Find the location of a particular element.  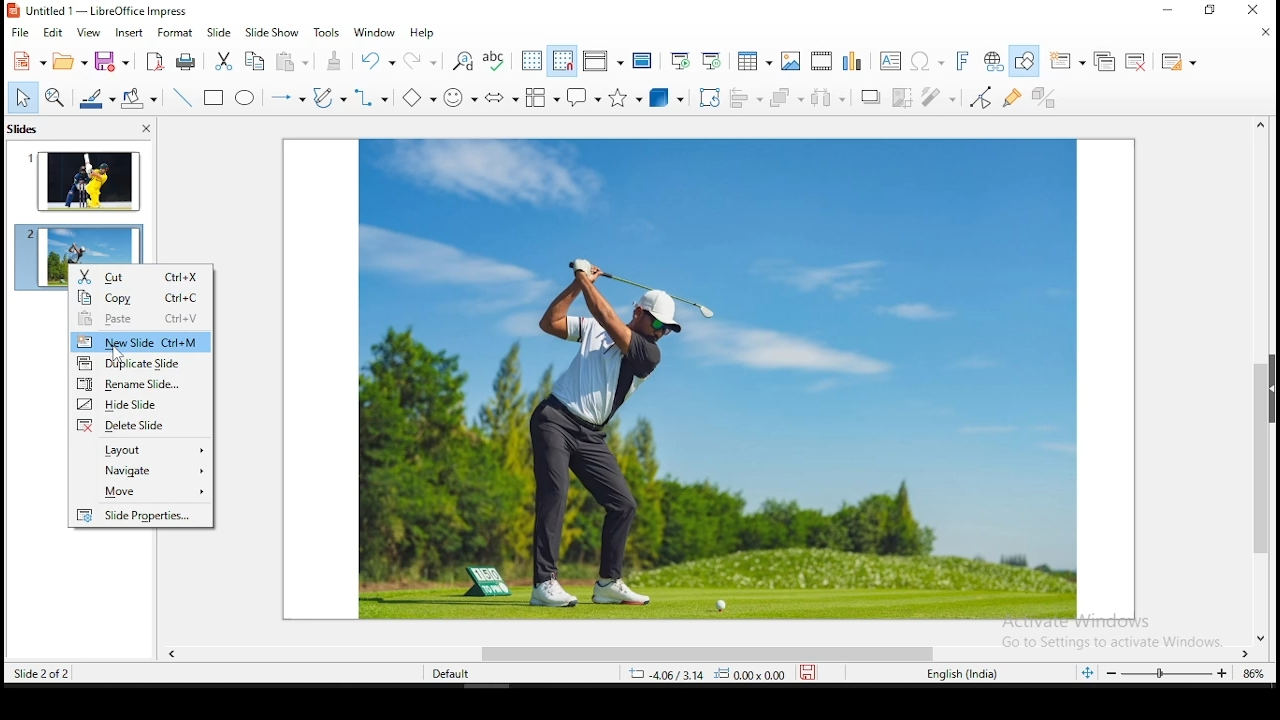

rectangle tool is located at coordinates (212, 99).